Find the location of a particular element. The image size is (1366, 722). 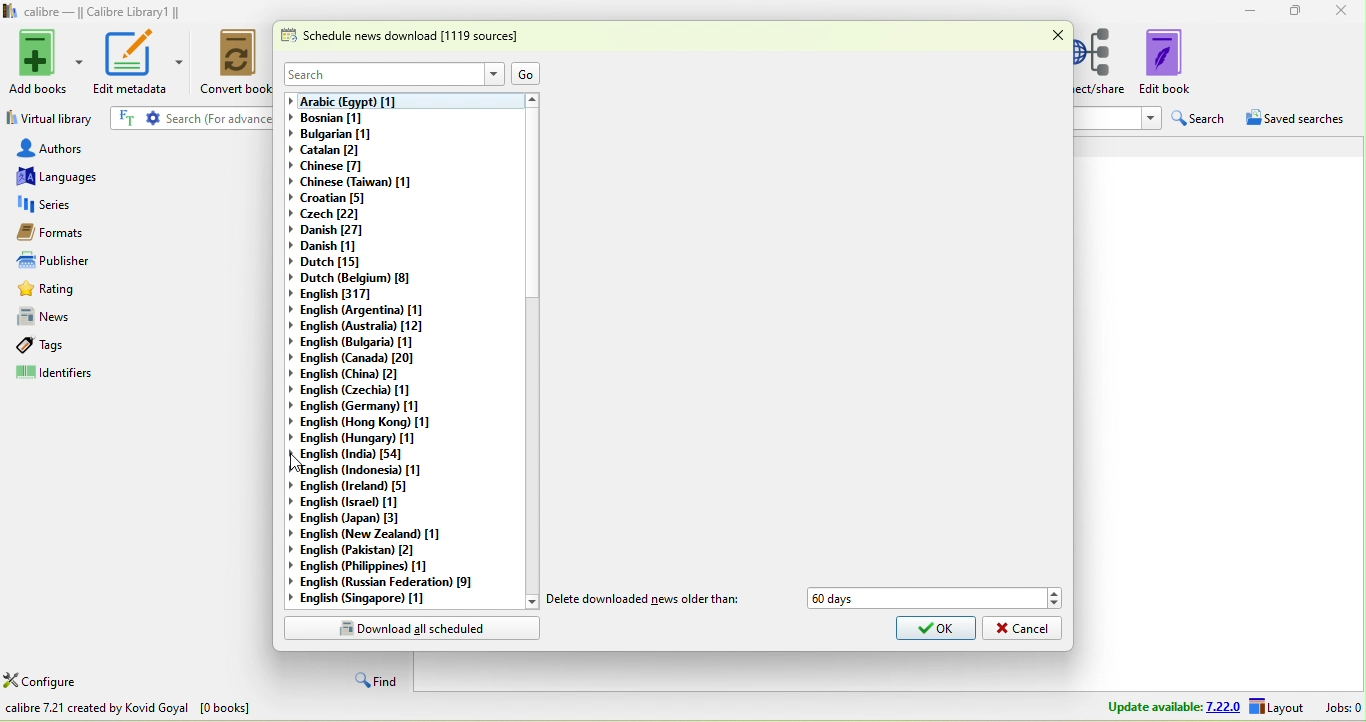

english (singapore)[1] is located at coordinates (391, 600).